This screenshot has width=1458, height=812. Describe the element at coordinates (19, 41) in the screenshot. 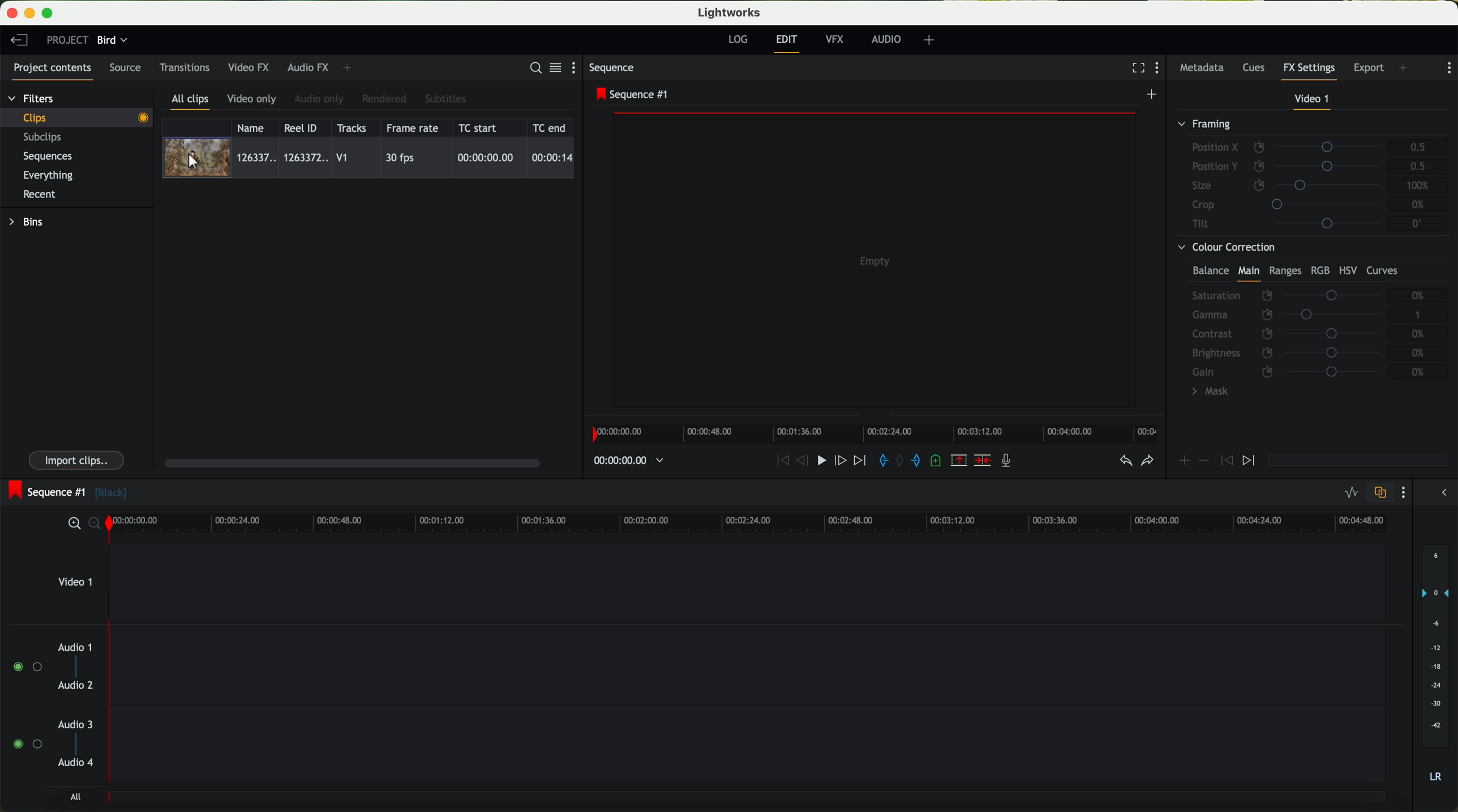

I see `leave` at that location.